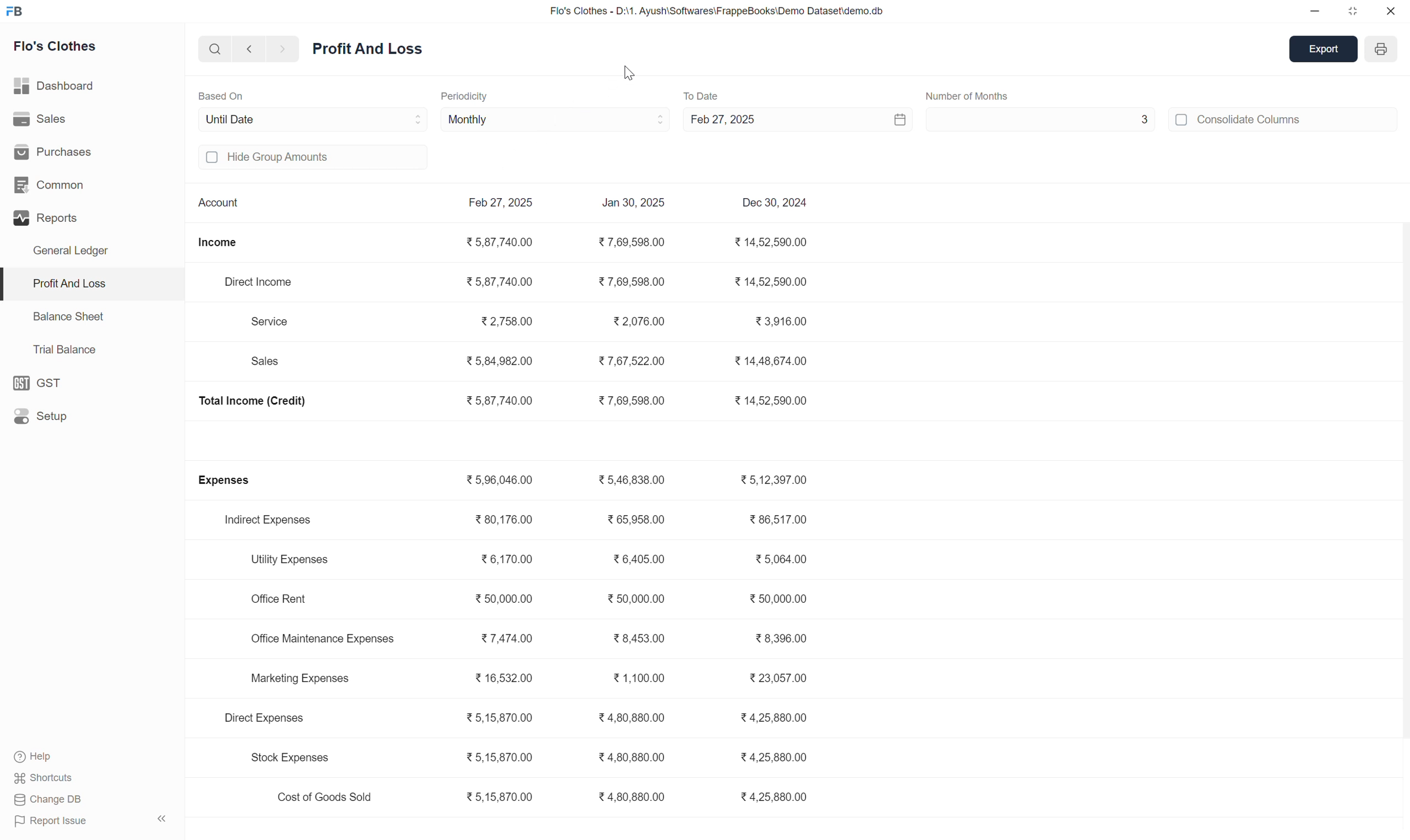  What do you see at coordinates (631, 799) in the screenshot?
I see `₹4,80,880.00` at bounding box center [631, 799].